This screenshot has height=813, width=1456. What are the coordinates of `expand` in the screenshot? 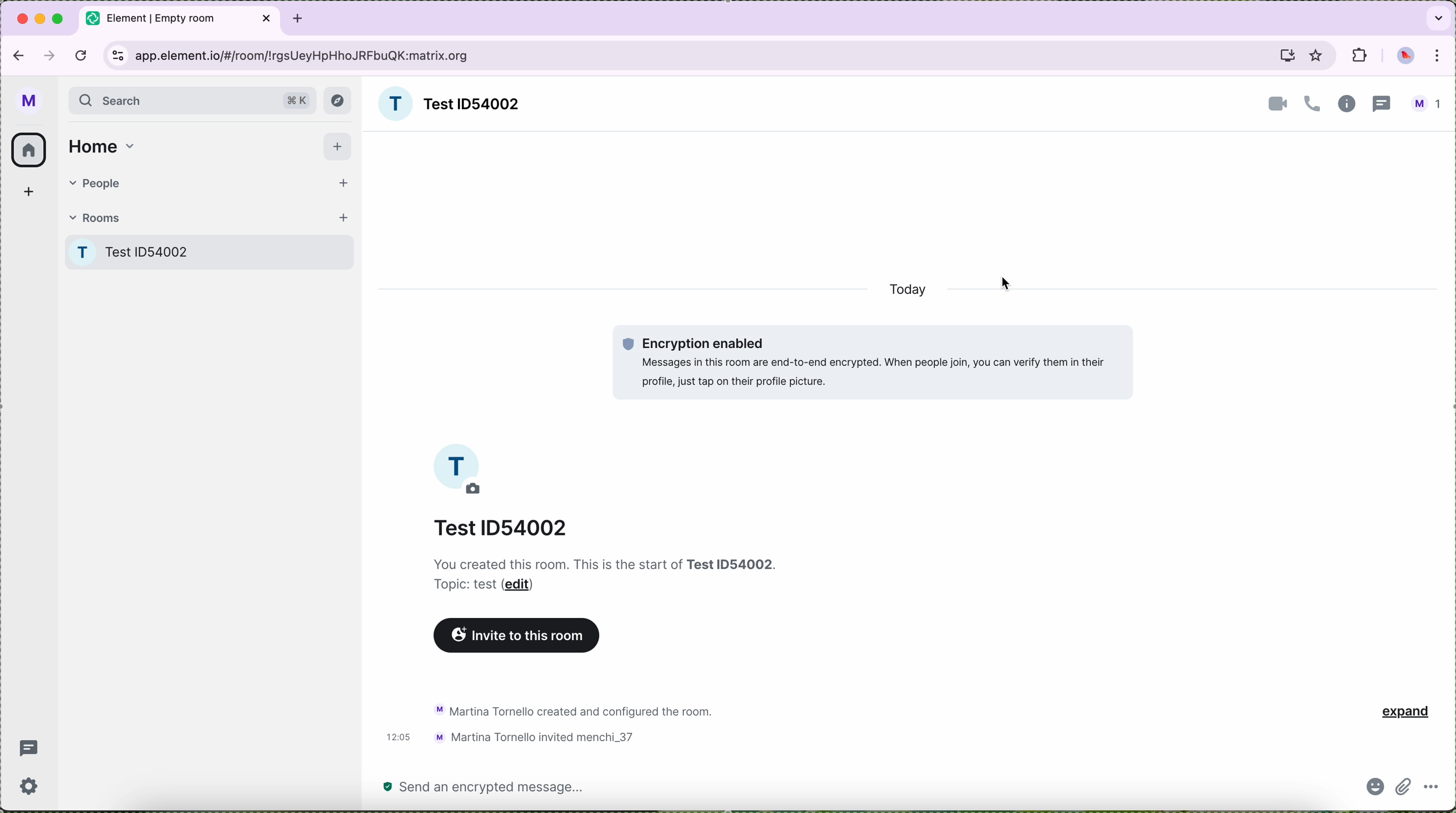 It's located at (1396, 718).